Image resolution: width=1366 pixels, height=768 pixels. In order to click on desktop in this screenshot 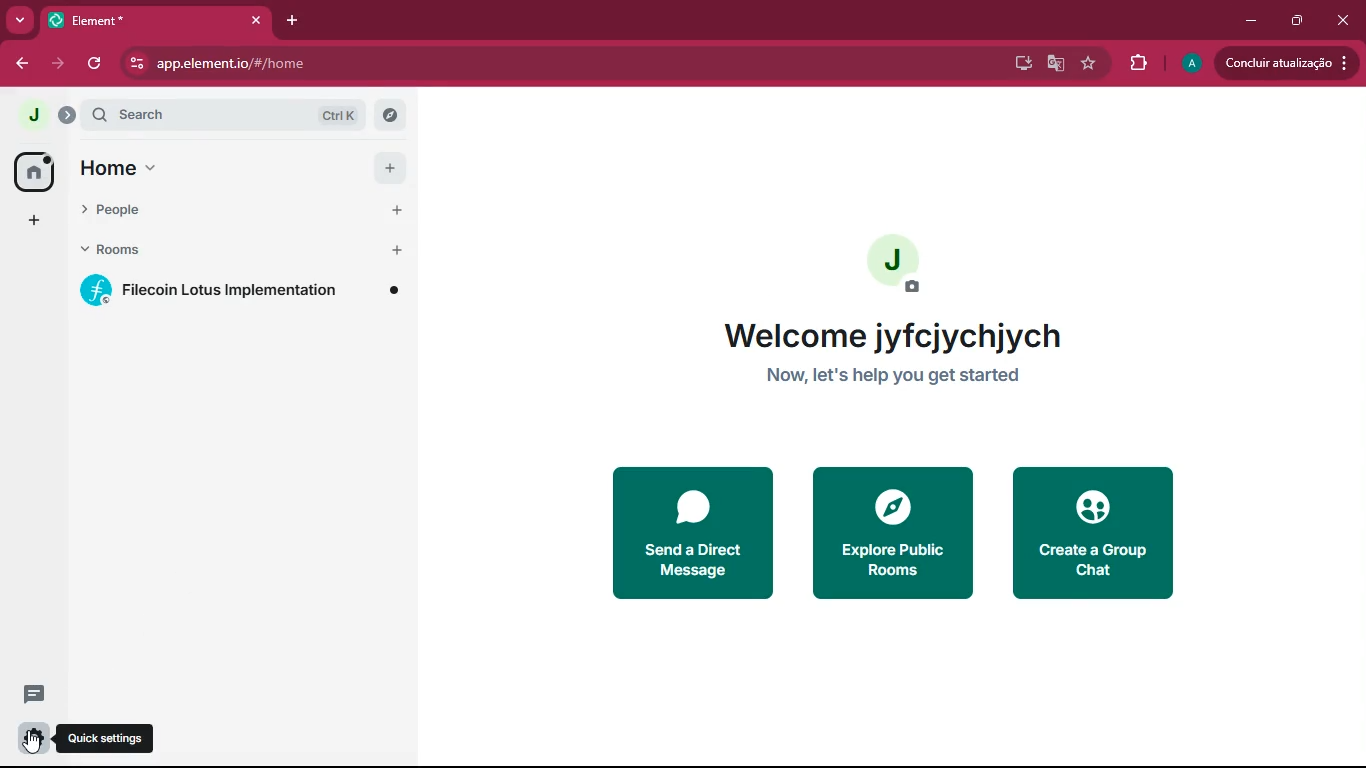, I will do `click(1019, 63)`.